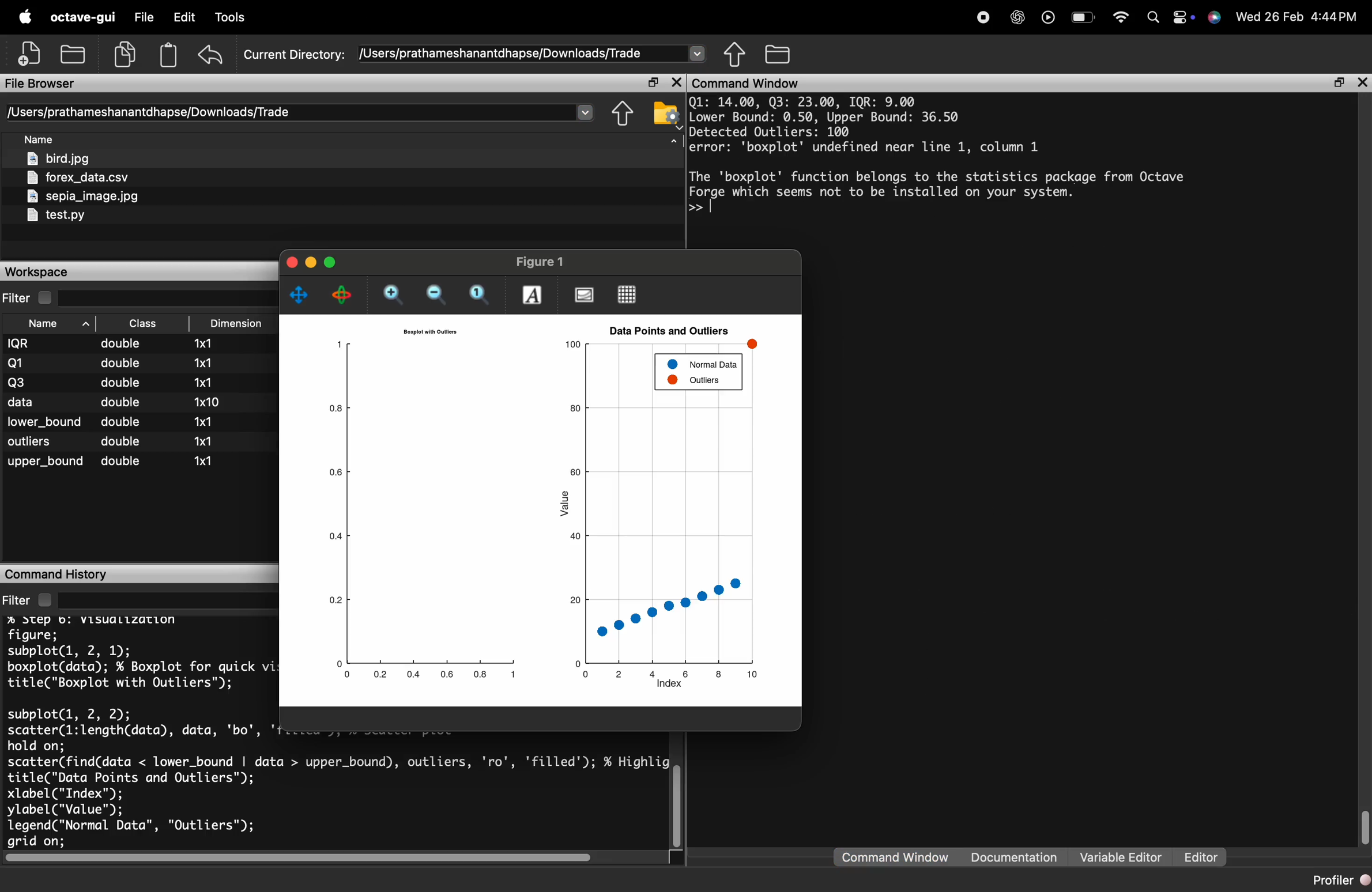 This screenshot has width=1372, height=892. Describe the element at coordinates (290, 260) in the screenshot. I see `close` at that location.